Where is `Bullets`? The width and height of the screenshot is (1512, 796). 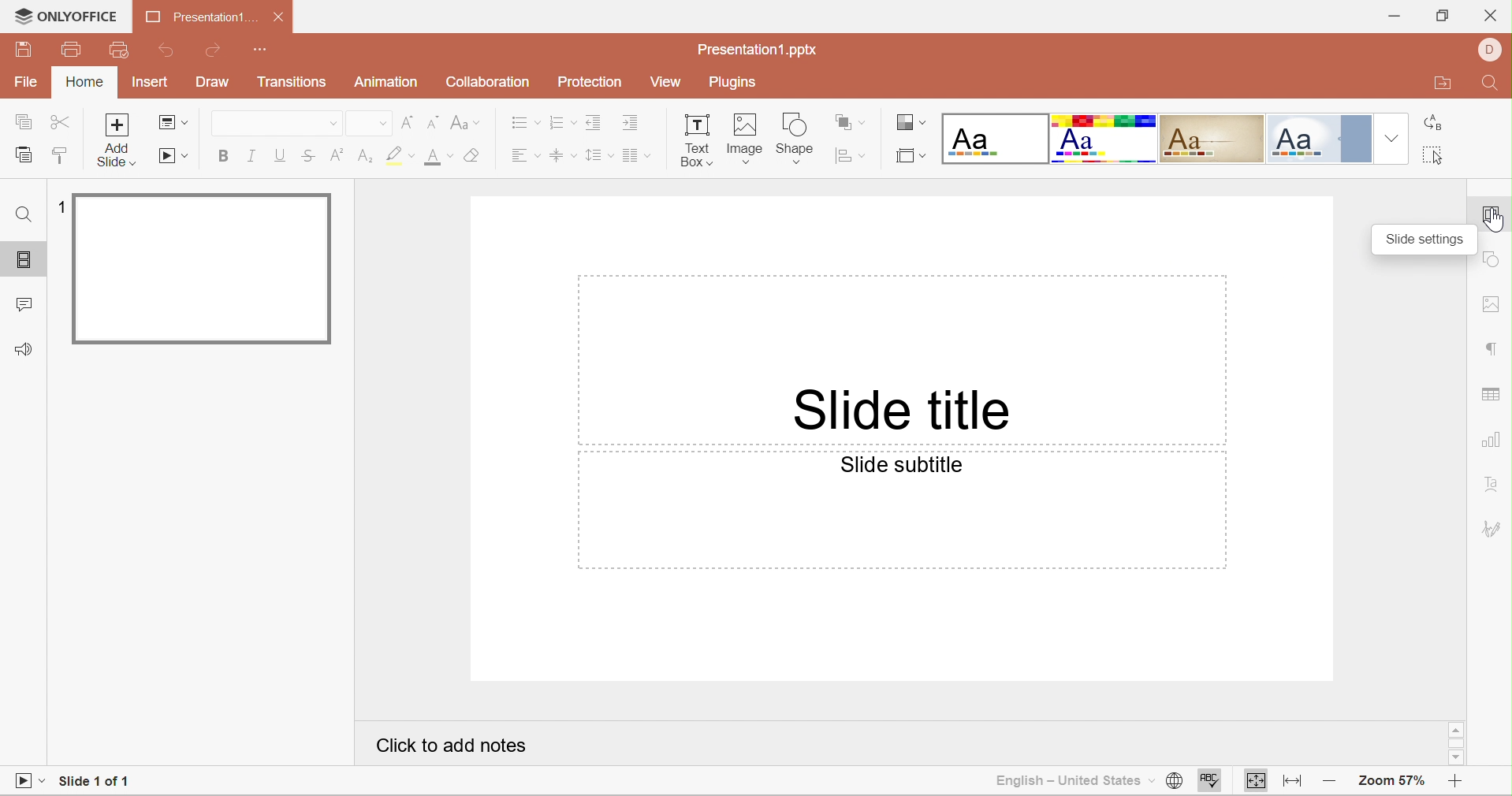
Bullets is located at coordinates (526, 121).